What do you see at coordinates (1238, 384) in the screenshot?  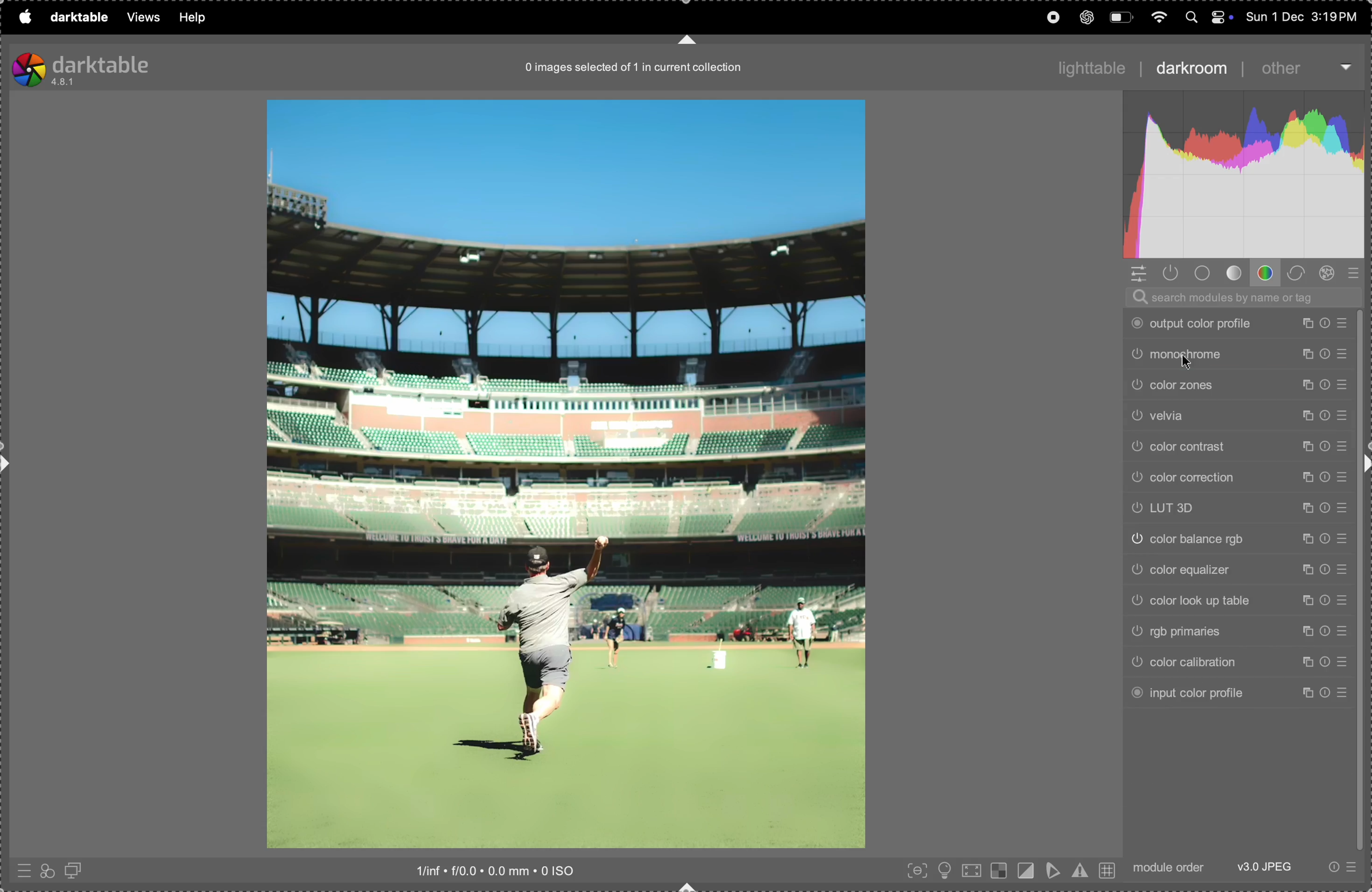 I see `color zones` at bounding box center [1238, 384].